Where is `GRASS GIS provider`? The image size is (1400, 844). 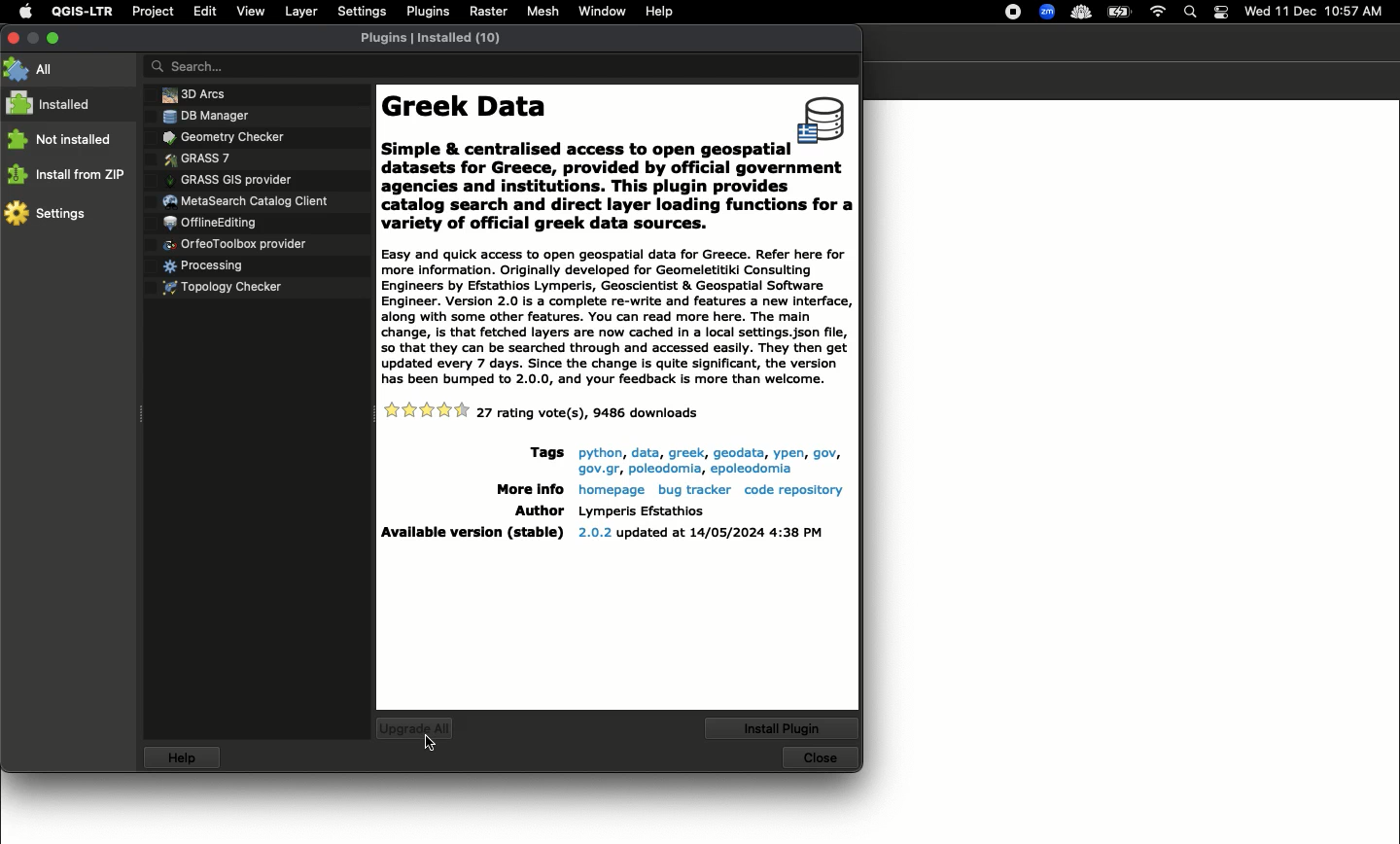
GRASS GIS provider is located at coordinates (229, 179).